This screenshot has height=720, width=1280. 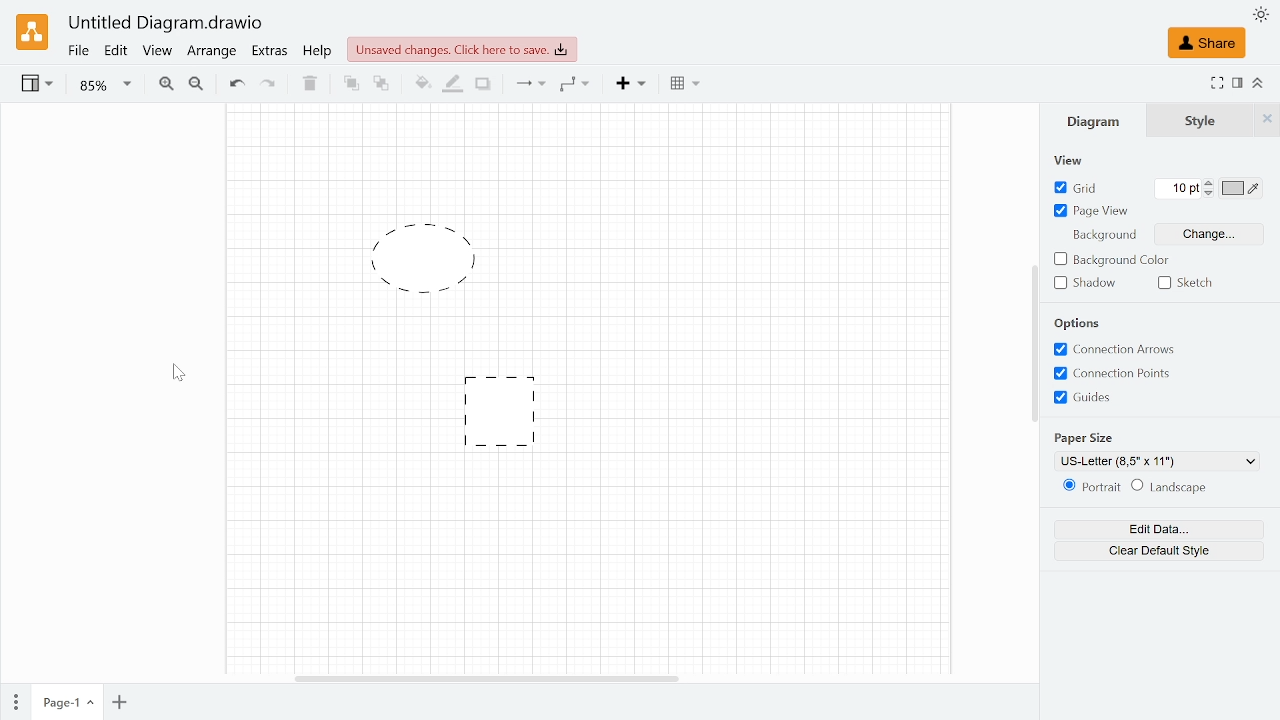 I want to click on paper size, so click(x=1088, y=439).